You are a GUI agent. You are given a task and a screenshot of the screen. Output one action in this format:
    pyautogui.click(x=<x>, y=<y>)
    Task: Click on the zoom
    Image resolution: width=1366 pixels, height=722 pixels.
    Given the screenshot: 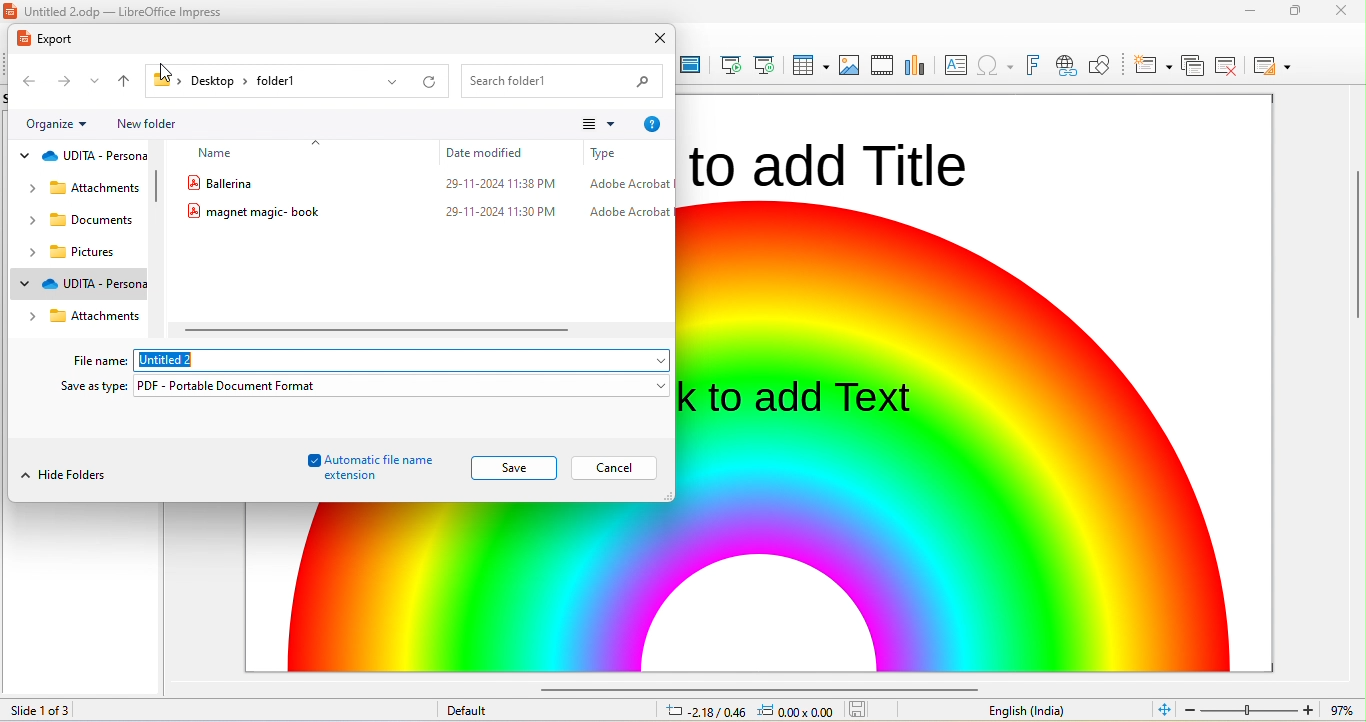 What is the action you would take?
    pyautogui.click(x=1273, y=708)
    